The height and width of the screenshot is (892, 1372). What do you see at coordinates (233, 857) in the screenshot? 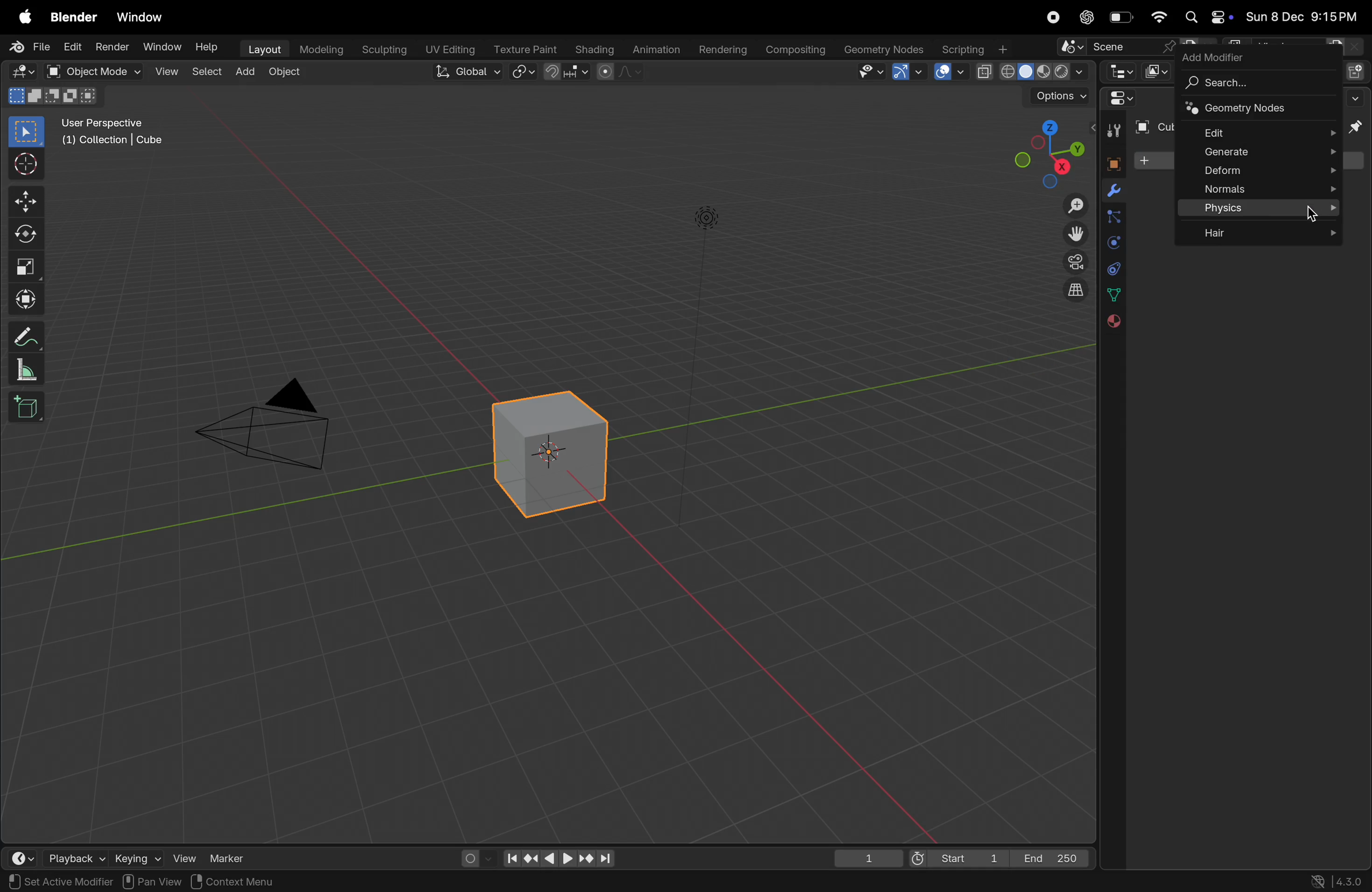
I see `maker` at bounding box center [233, 857].